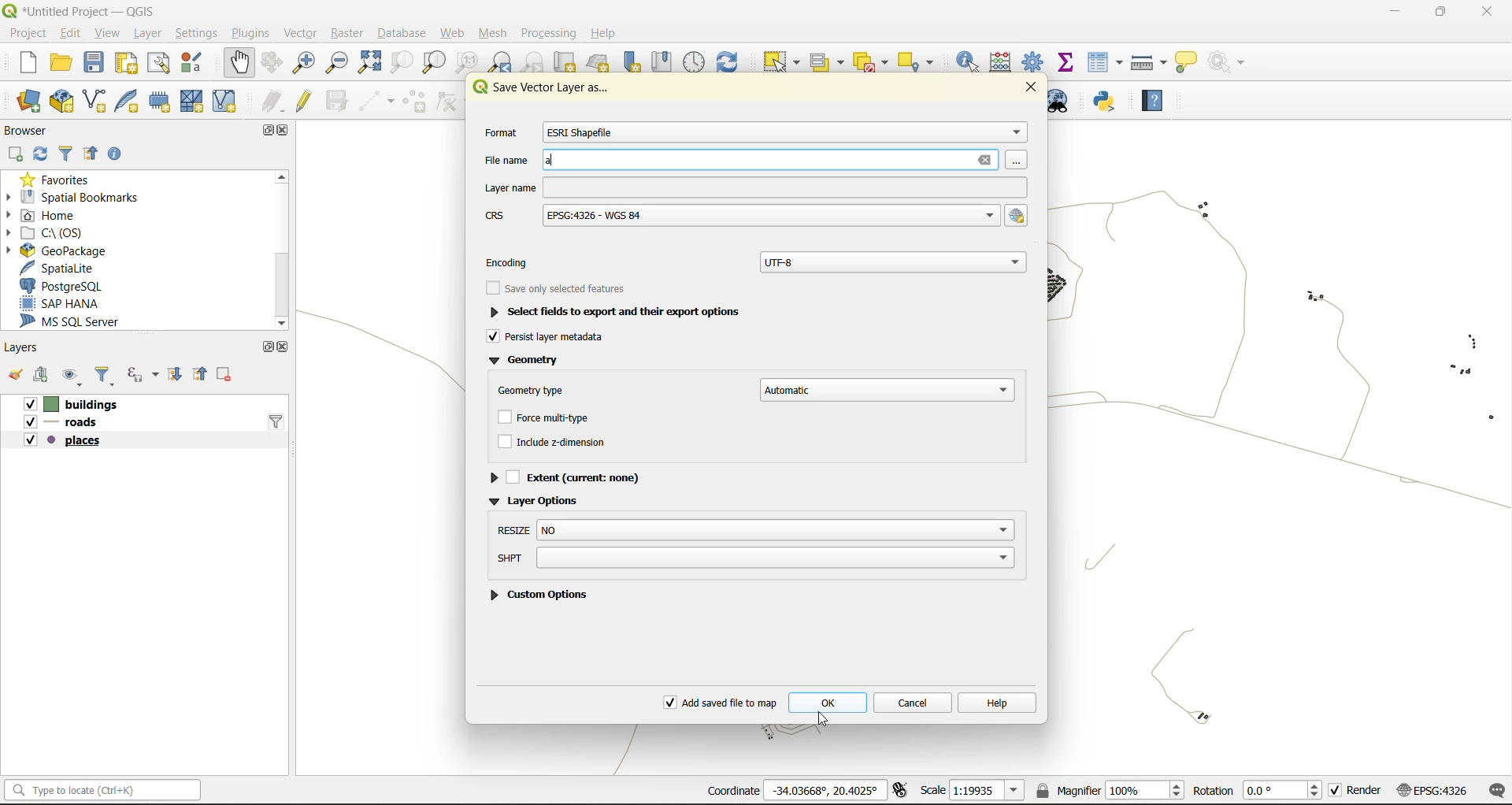  What do you see at coordinates (18, 154) in the screenshot?
I see `add` at bounding box center [18, 154].